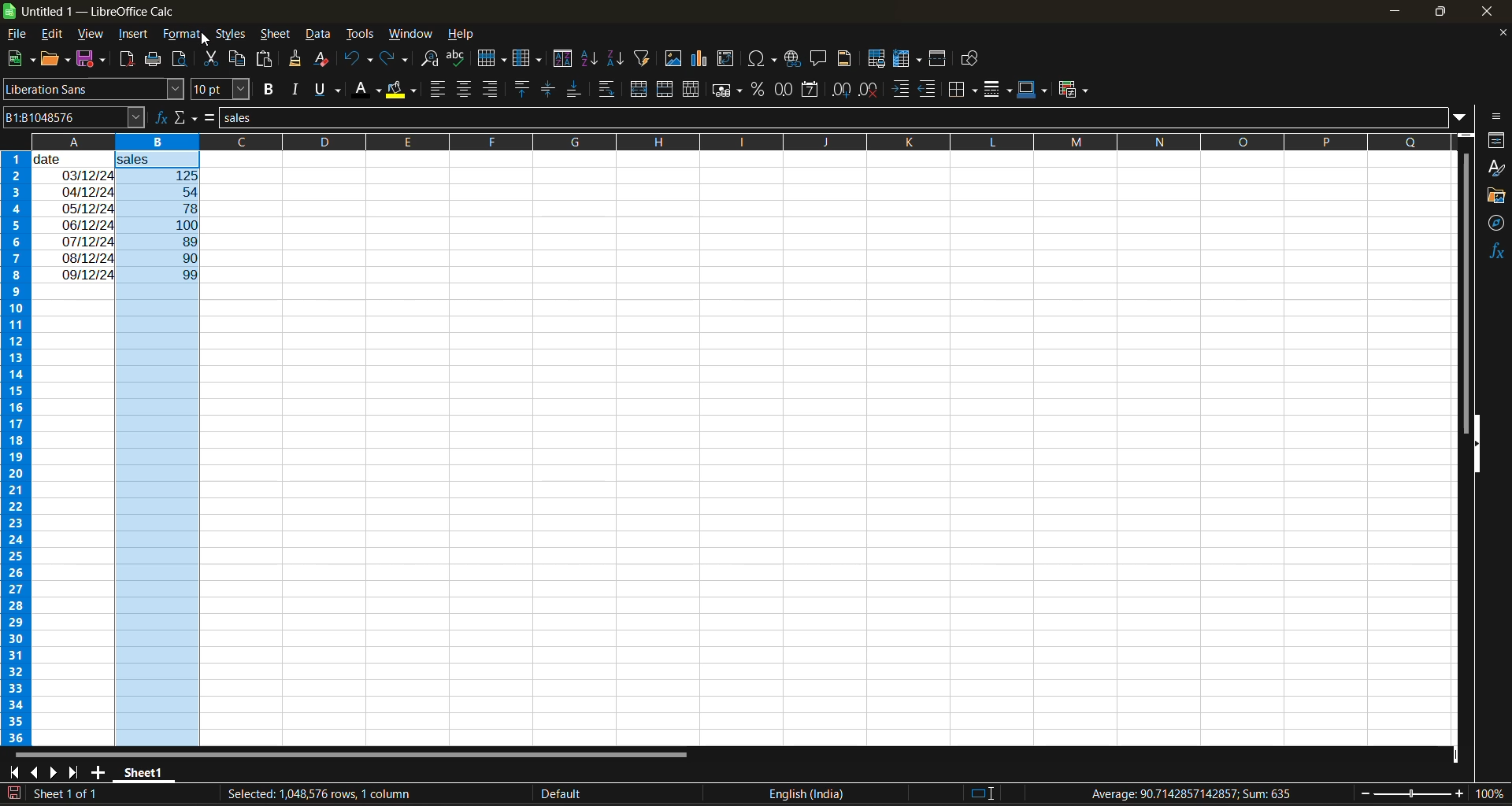  Describe the element at coordinates (54, 60) in the screenshot. I see `open` at that location.